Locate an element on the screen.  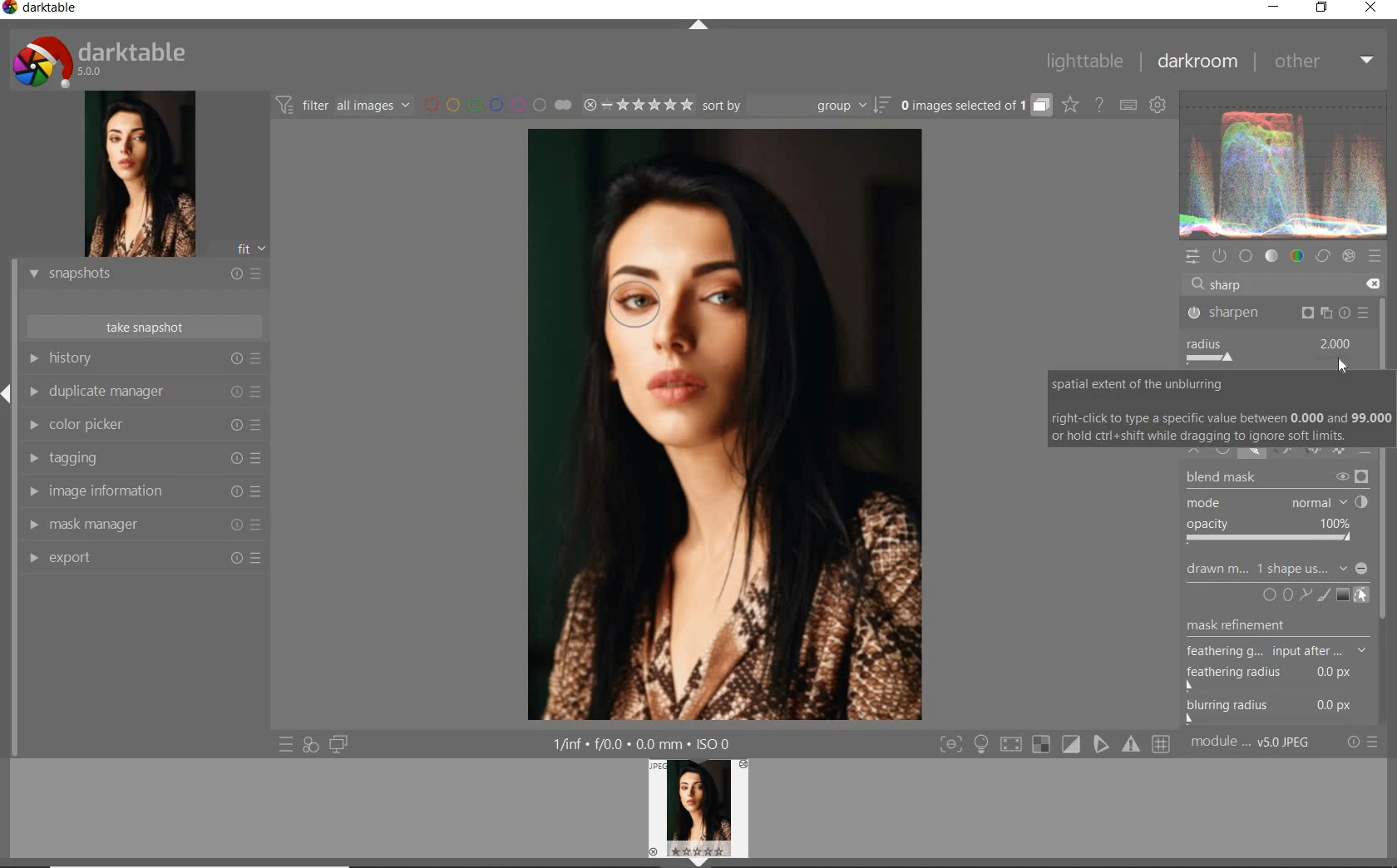
base is located at coordinates (1246, 254).